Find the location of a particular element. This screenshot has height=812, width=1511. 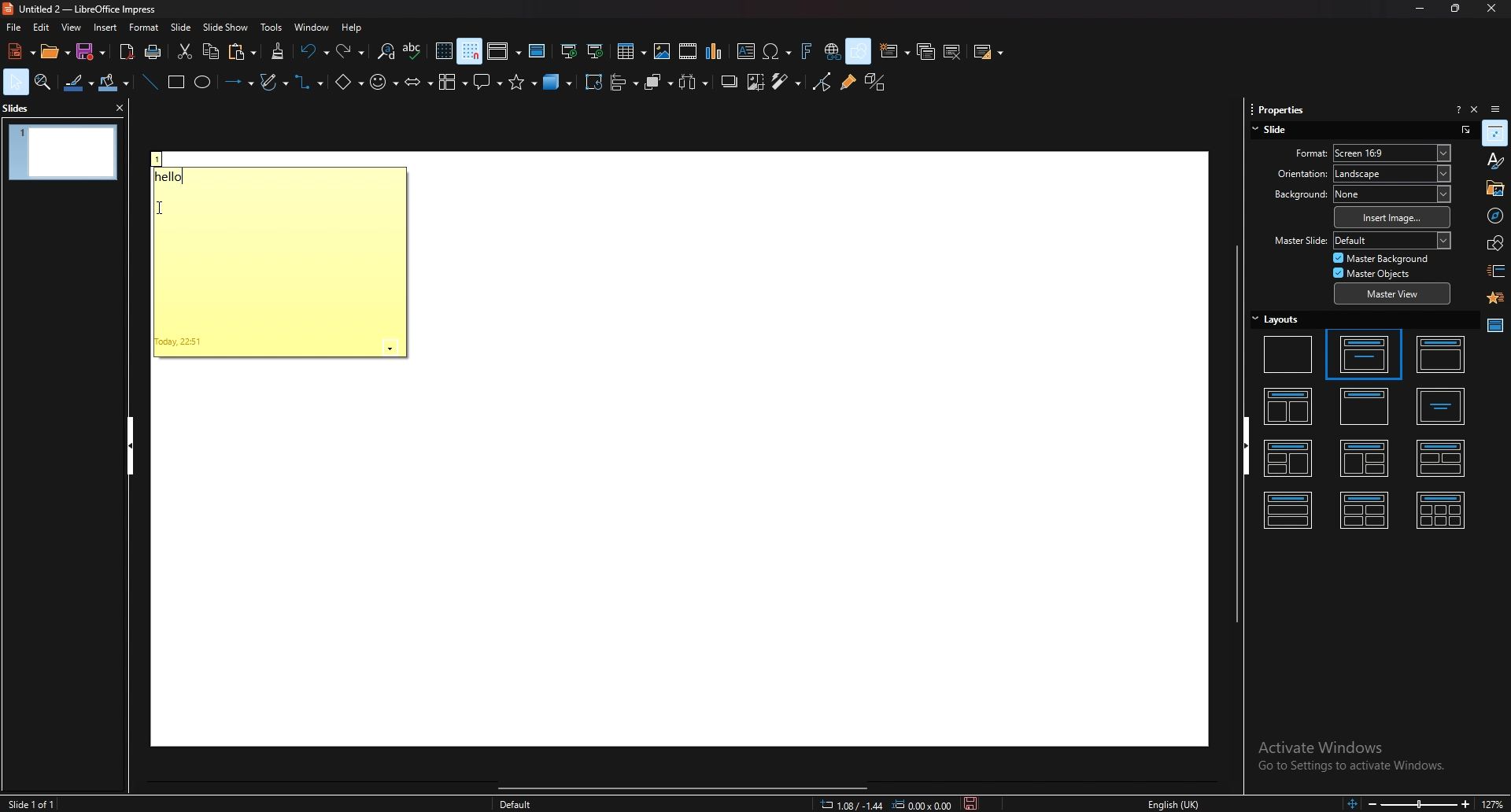

show gluepoint functions is located at coordinates (847, 83).